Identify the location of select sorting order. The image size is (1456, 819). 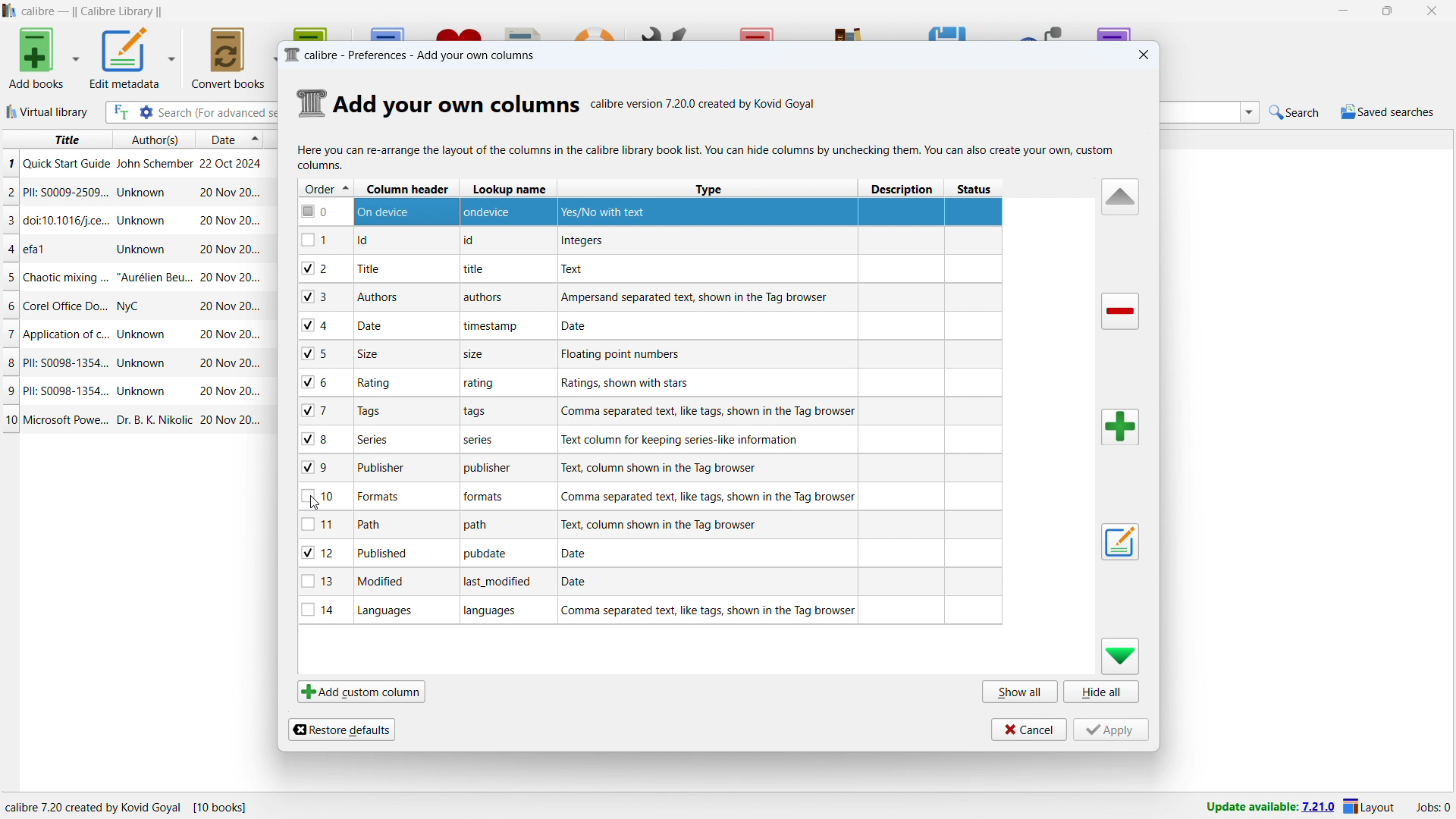
(256, 141).